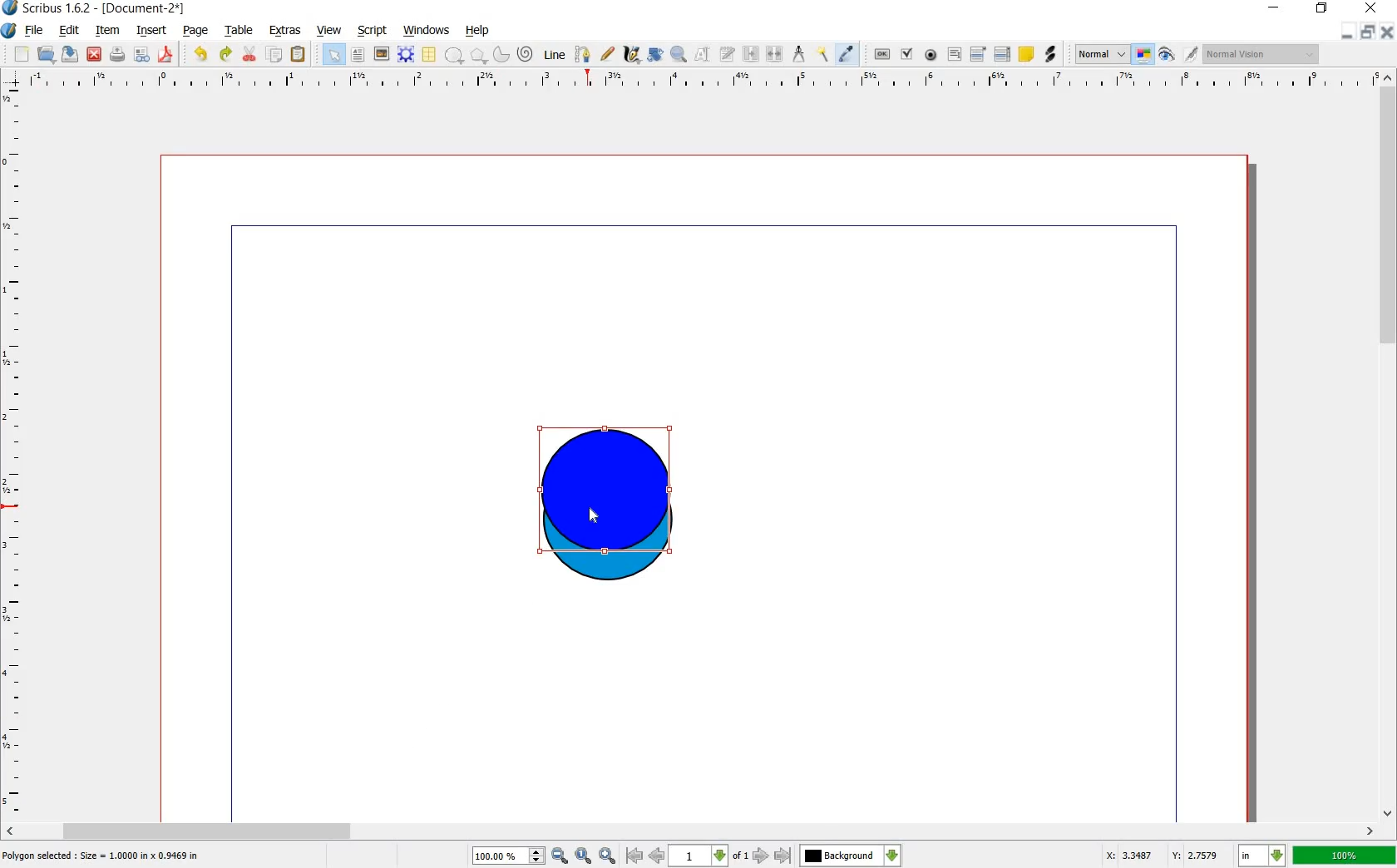 This screenshot has width=1397, height=868. I want to click on measurement, so click(800, 55).